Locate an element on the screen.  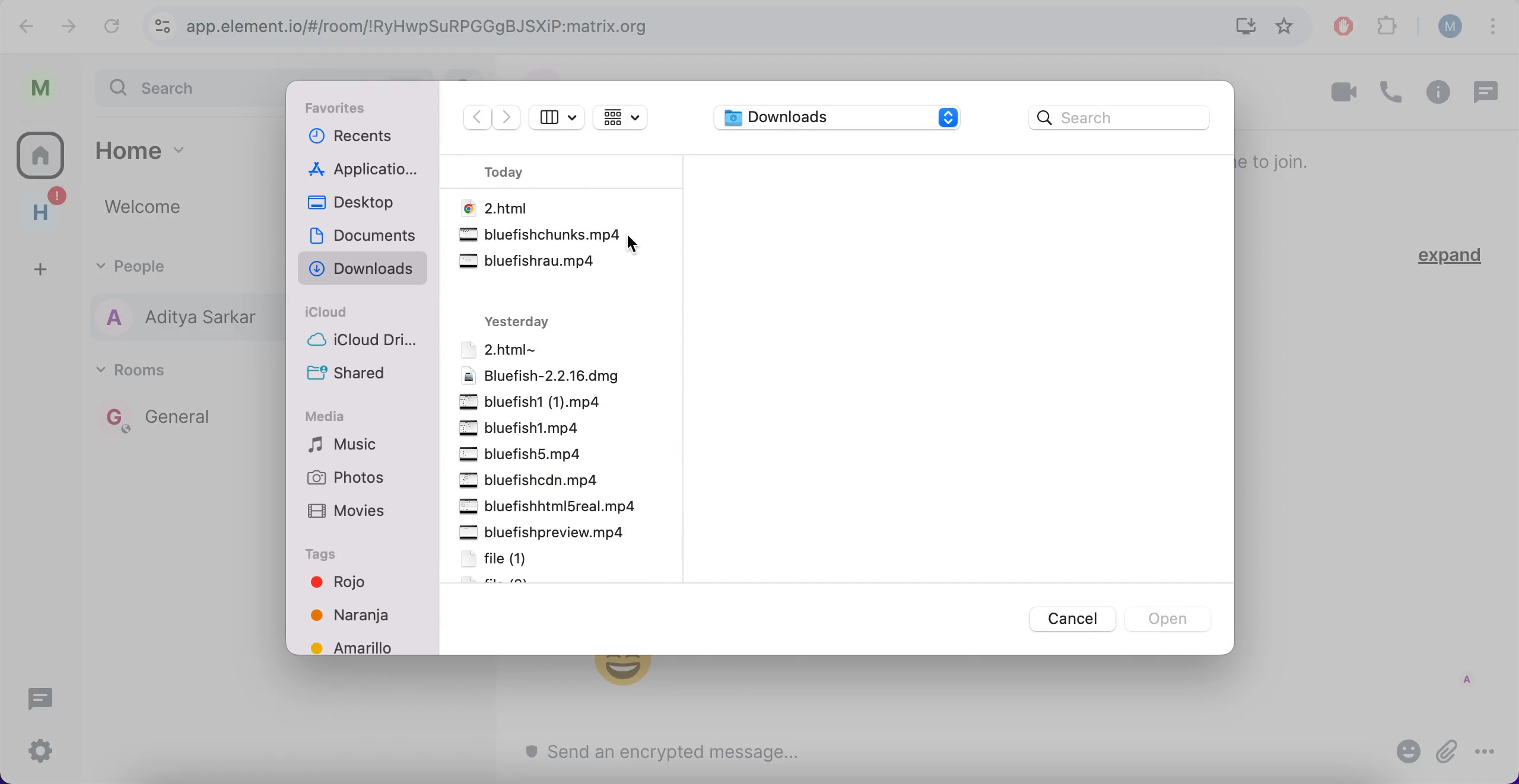
open is located at coordinates (1172, 618).